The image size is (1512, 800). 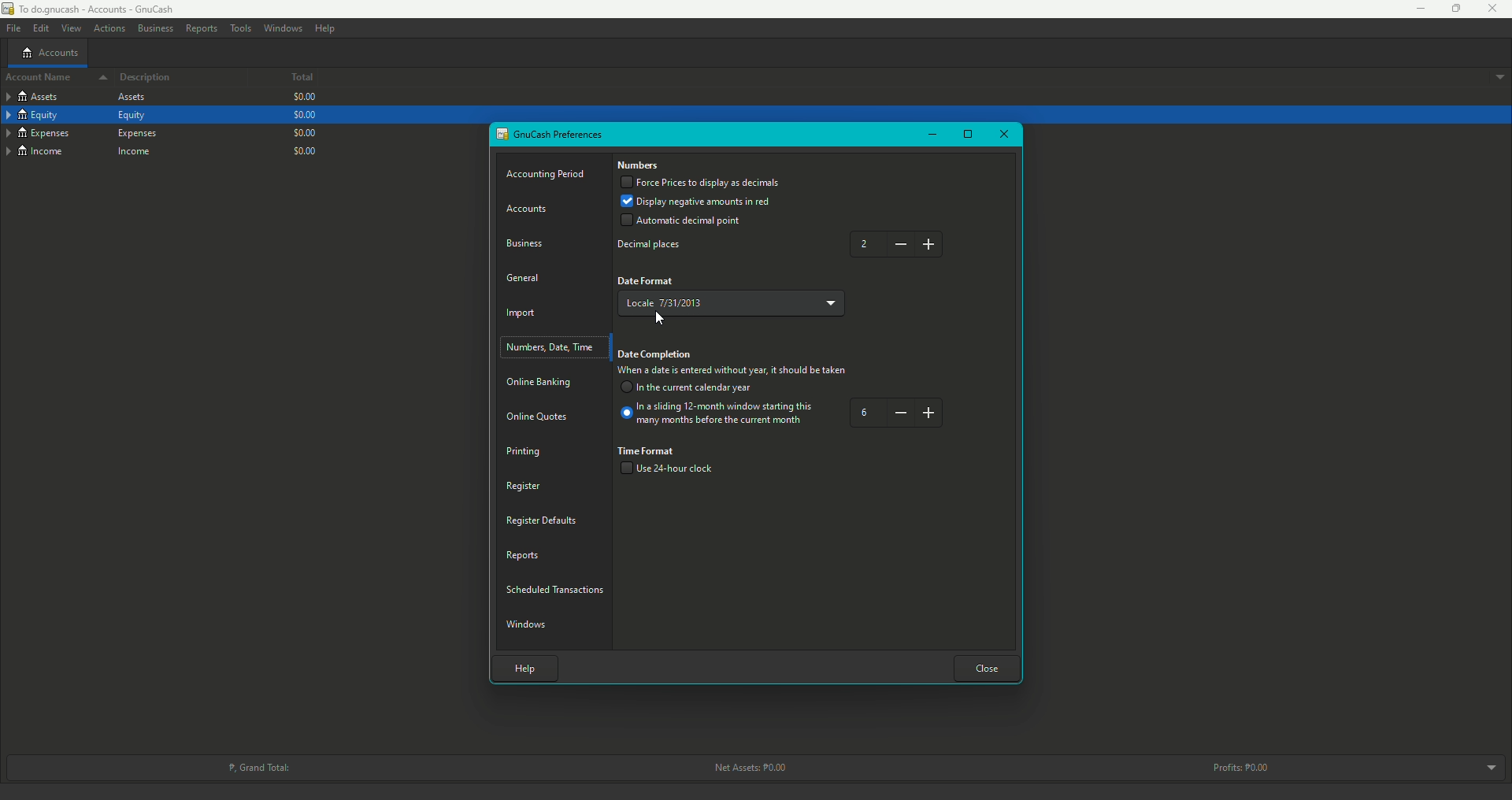 What do you see at coordinates (325, 28) in the screenshot?
I see `Help` at bounding box center [325, 28].